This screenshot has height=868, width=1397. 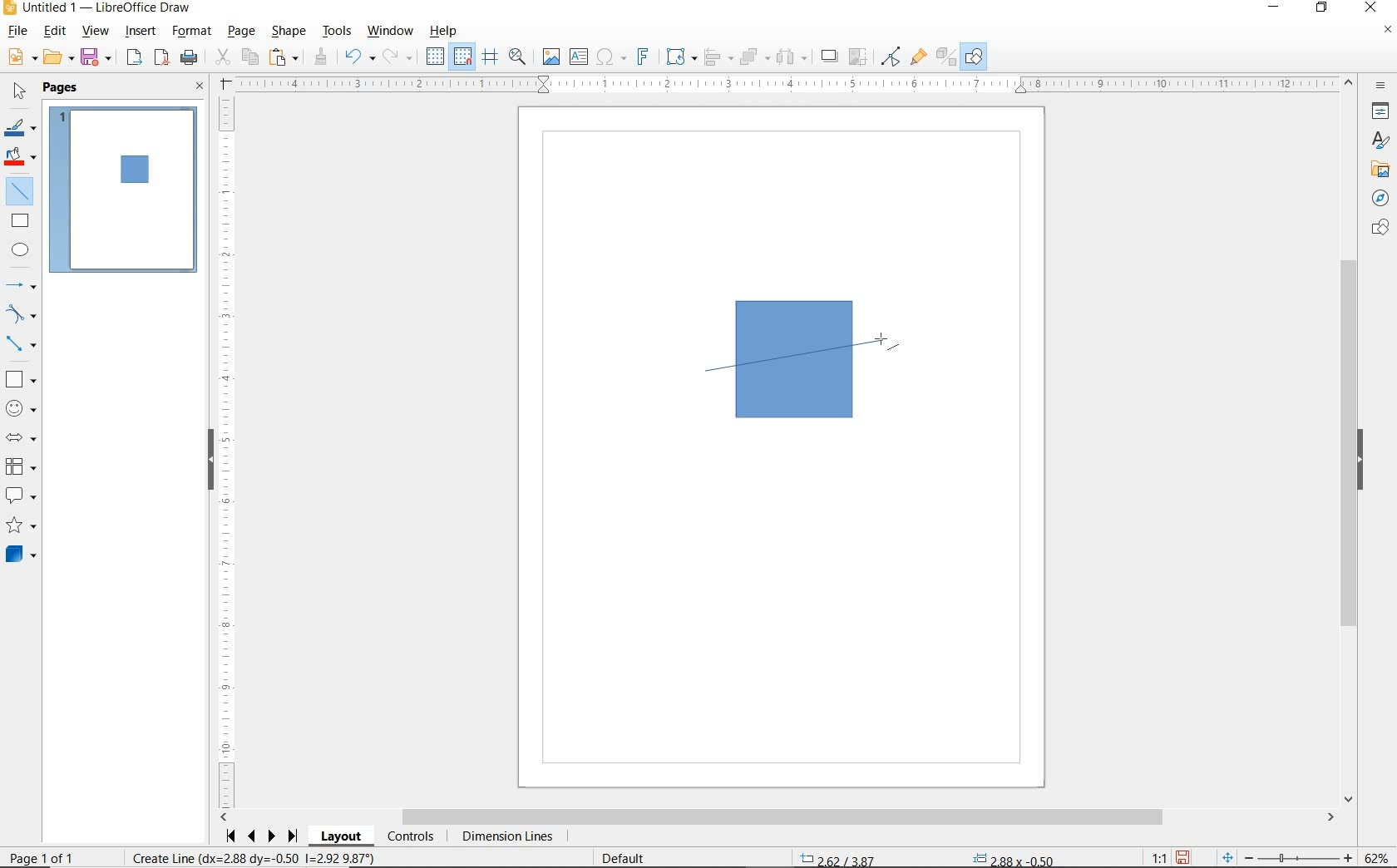 I want to click on INSERT LINE, so click(x=124, y=186).